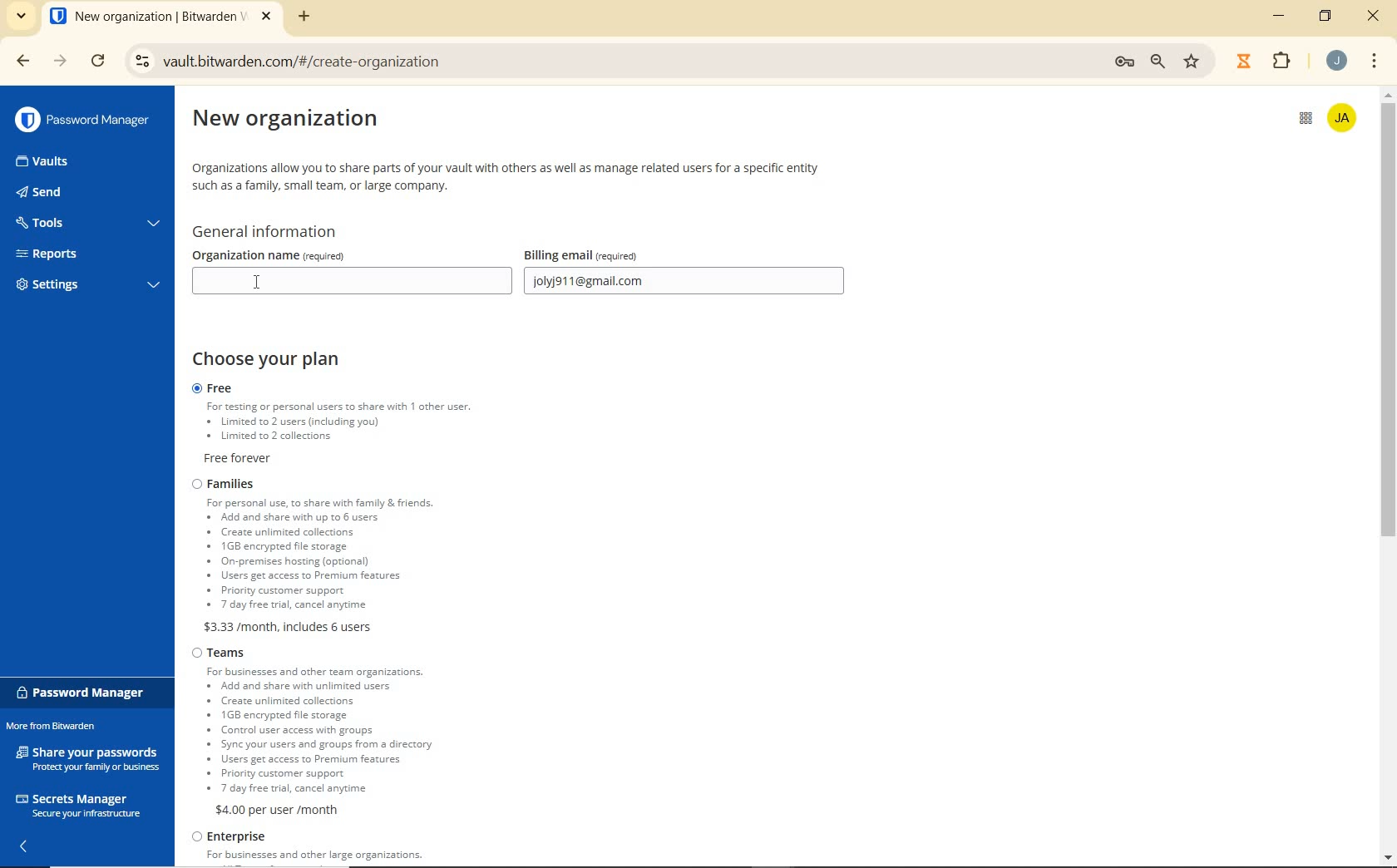 Image resolution: width=1397 pixels, height=868 pixels. Describe the element at coordinates (85, 287) in the screenshot. I see `settings` at that location.